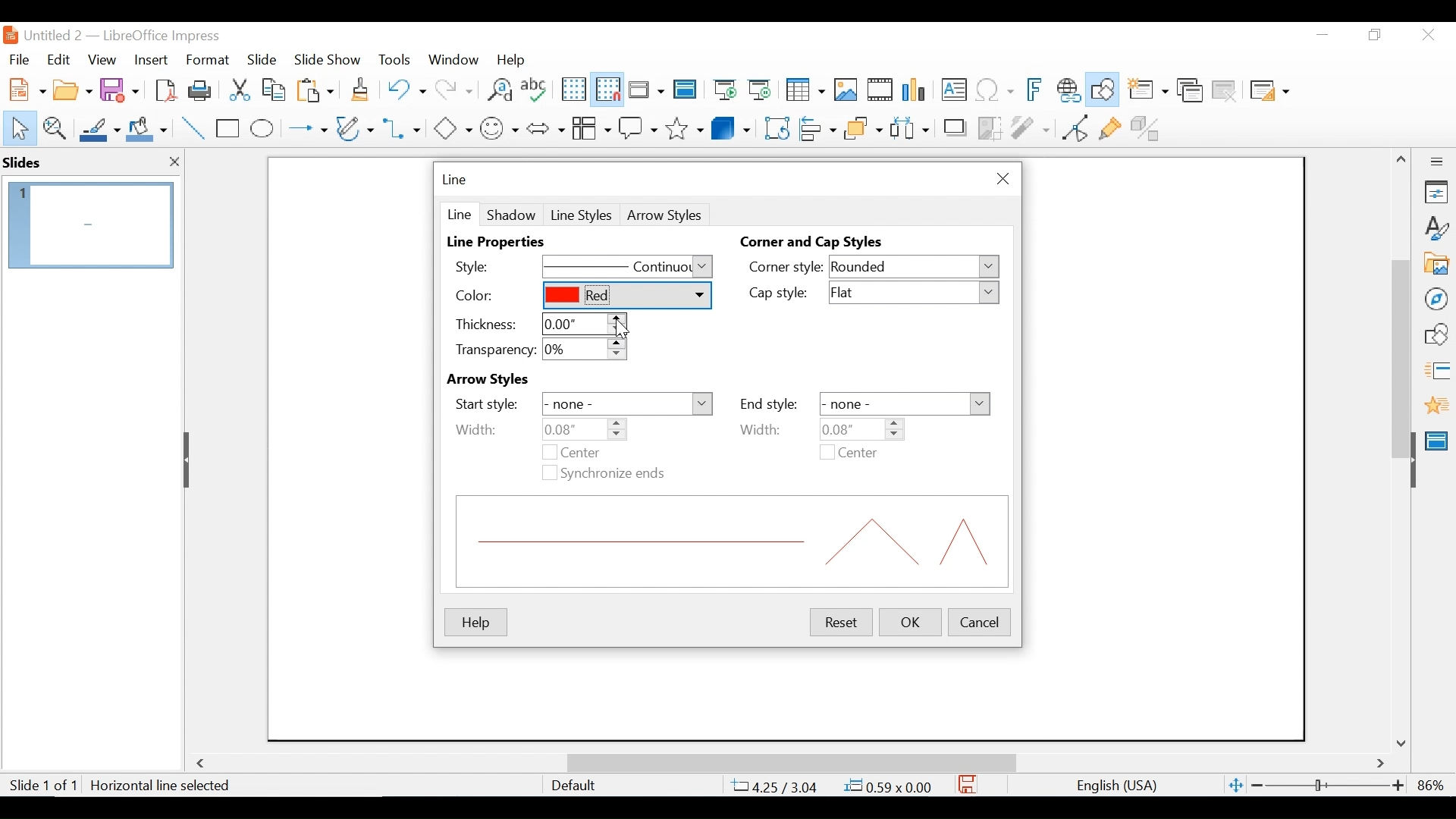  I want to click on Fit Slide to current window, so click(1236, 786).